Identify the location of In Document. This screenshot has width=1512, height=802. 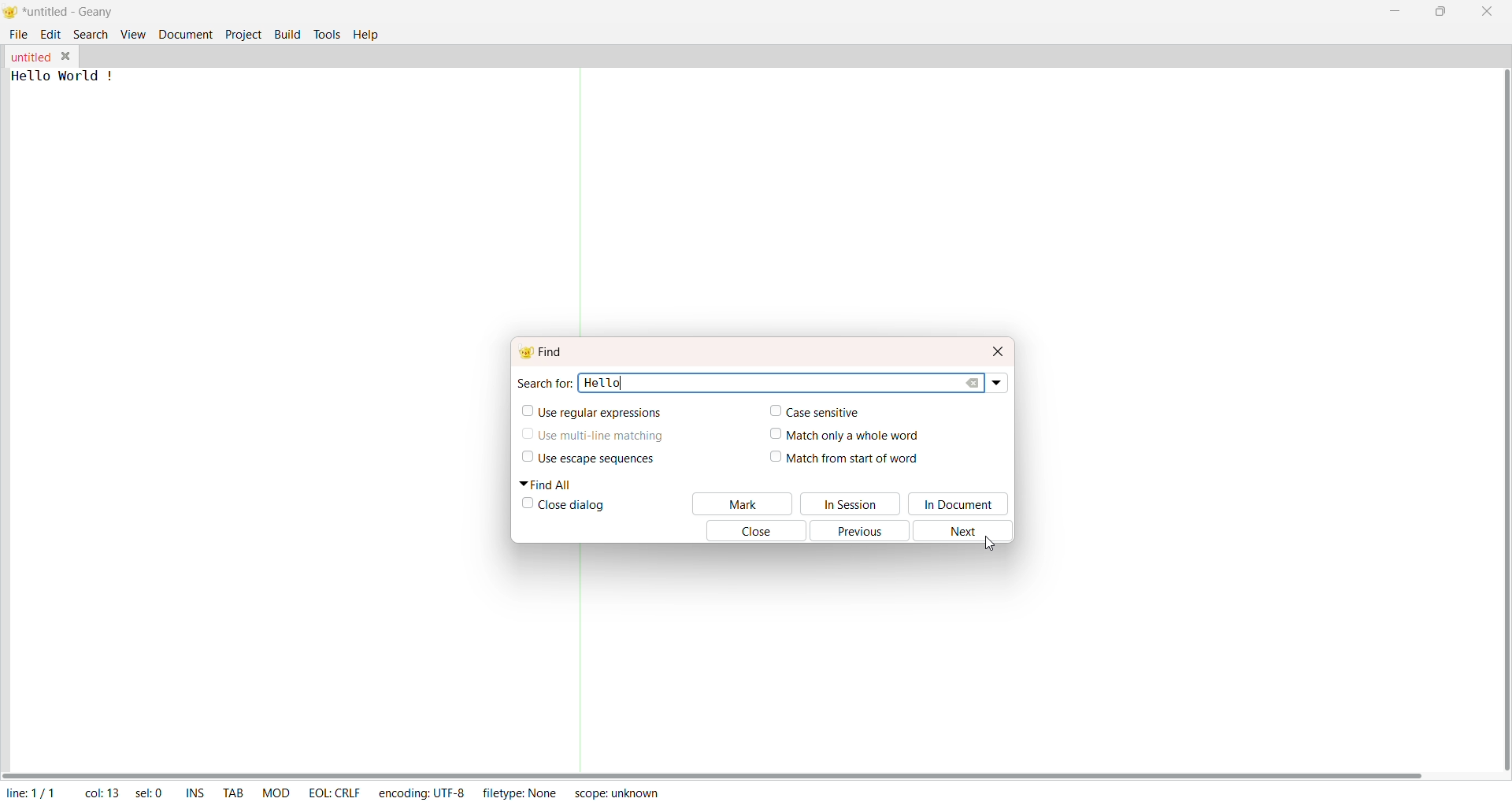
(962, 504).